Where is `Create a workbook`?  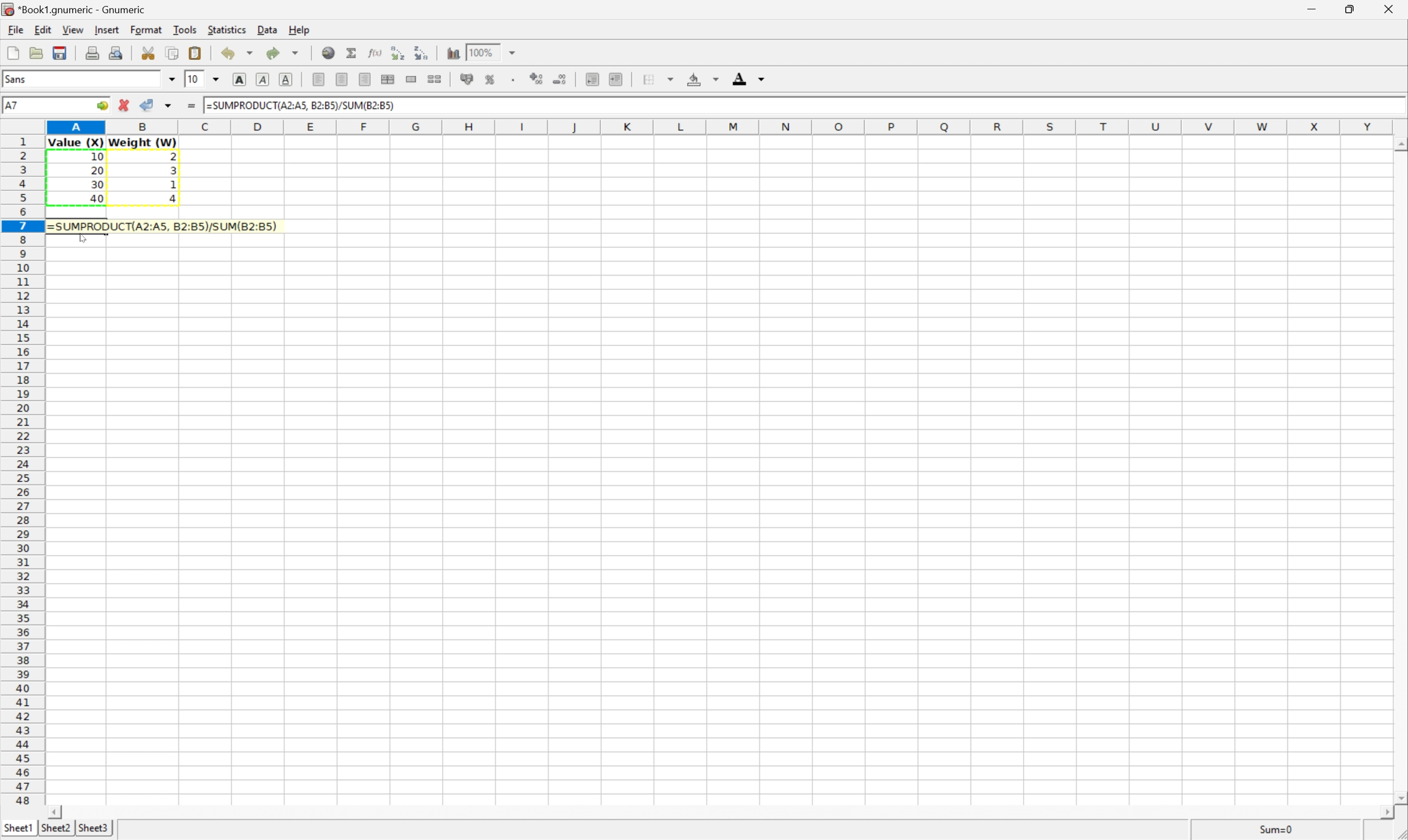 Create a workbook is located at coordinates (11, 53).